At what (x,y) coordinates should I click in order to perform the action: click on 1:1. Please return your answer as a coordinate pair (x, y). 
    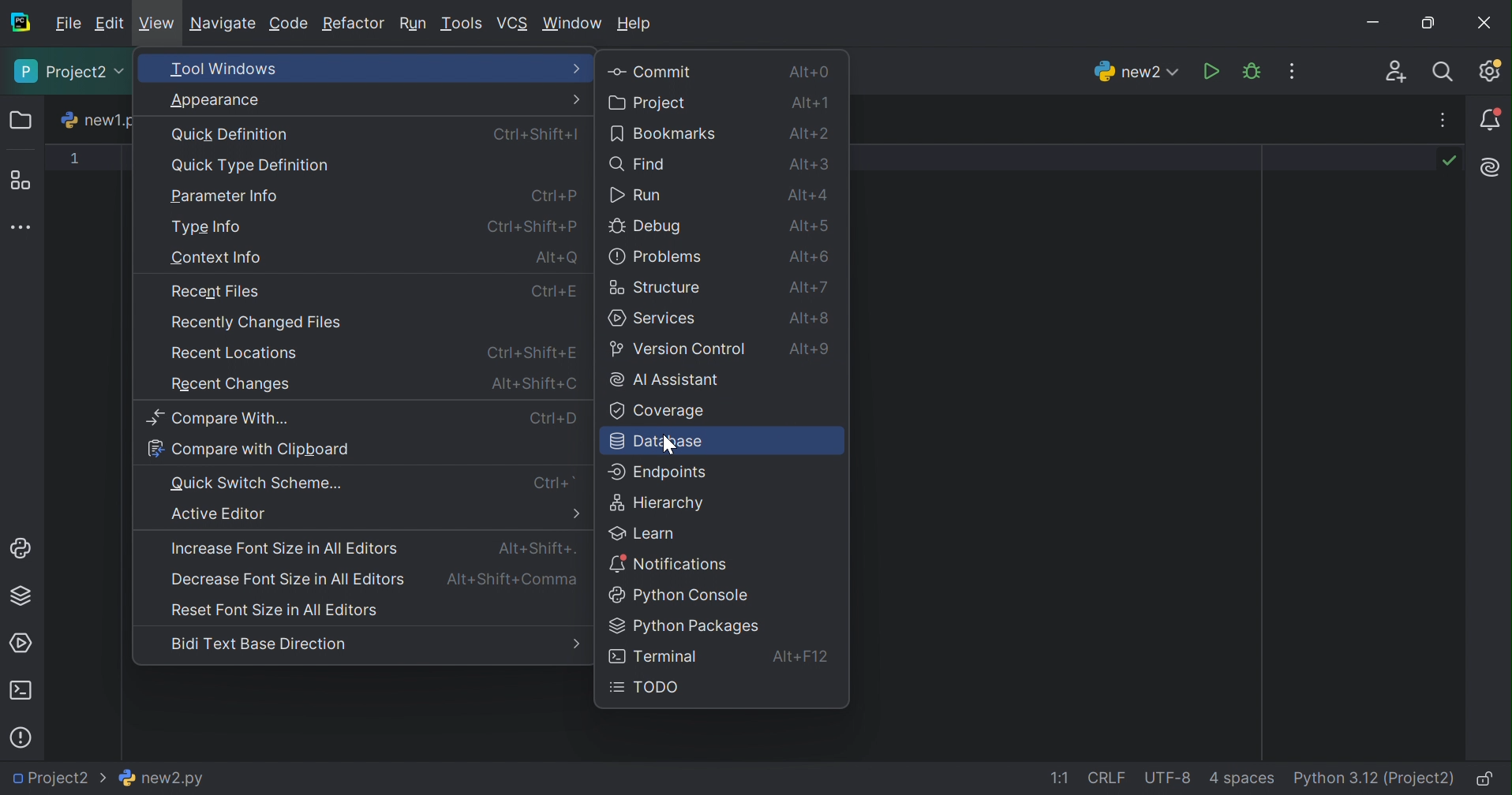
    Looking at the image, I should click on (1061, 779).